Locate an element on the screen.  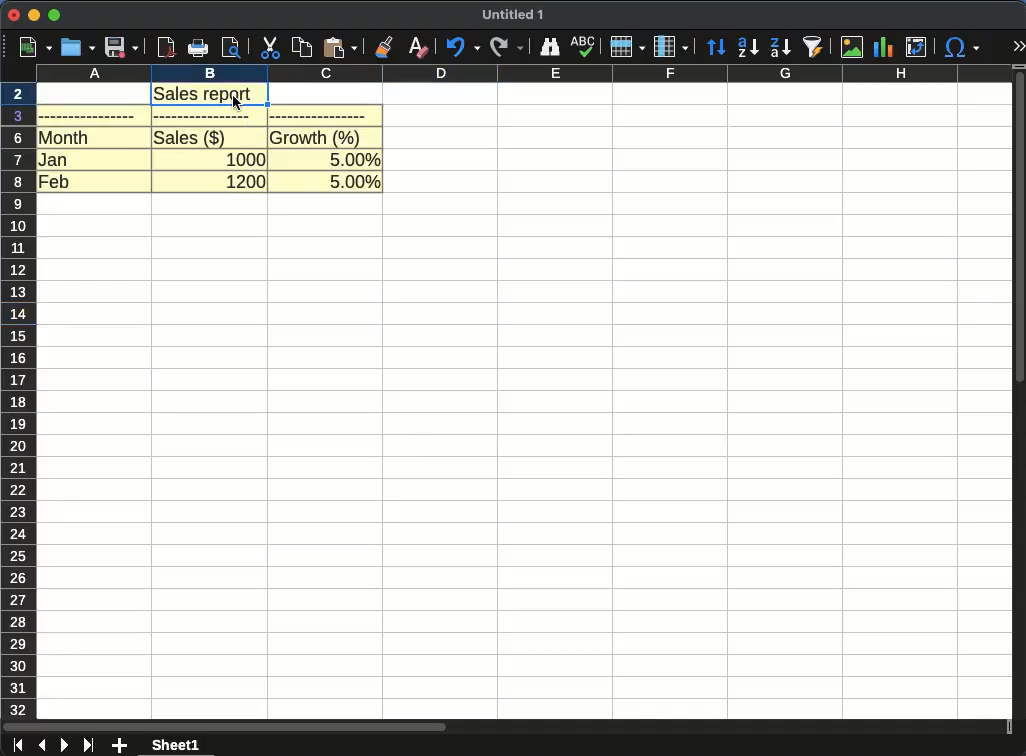
scroll is located at coordinates (1020, 400).